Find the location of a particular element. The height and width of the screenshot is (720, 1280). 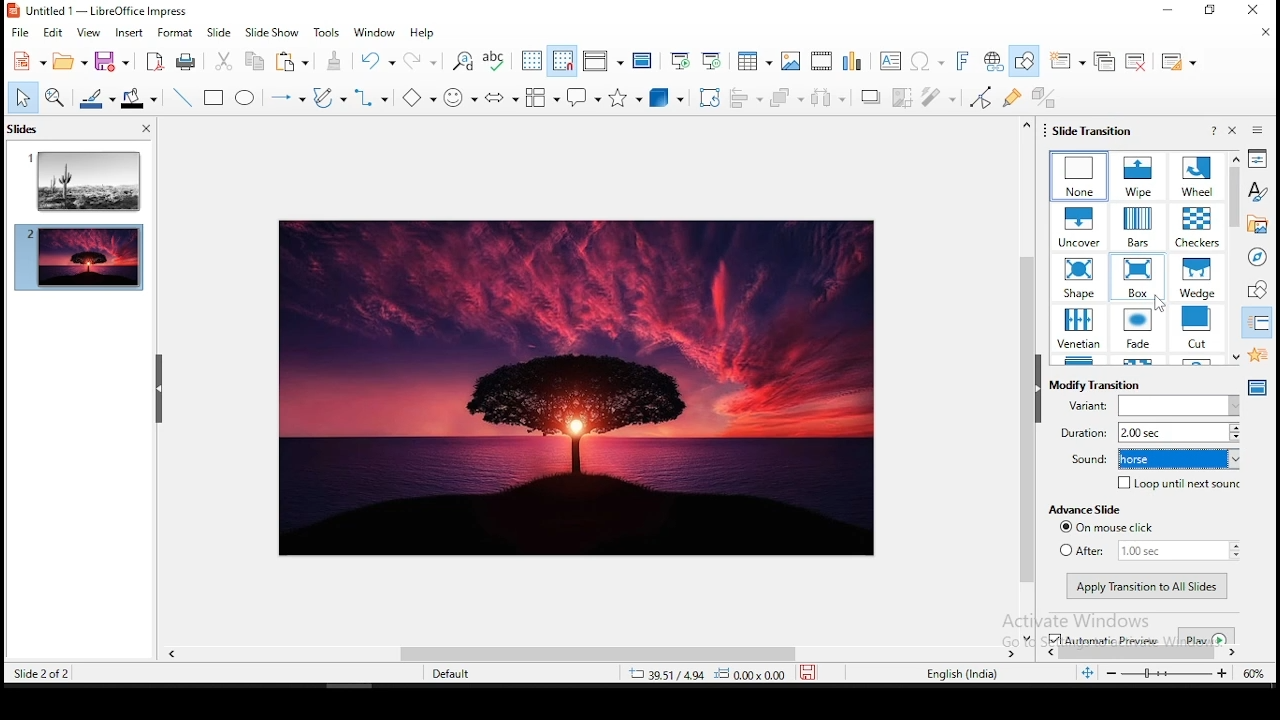

crop image is located at coordinates (903, 97).